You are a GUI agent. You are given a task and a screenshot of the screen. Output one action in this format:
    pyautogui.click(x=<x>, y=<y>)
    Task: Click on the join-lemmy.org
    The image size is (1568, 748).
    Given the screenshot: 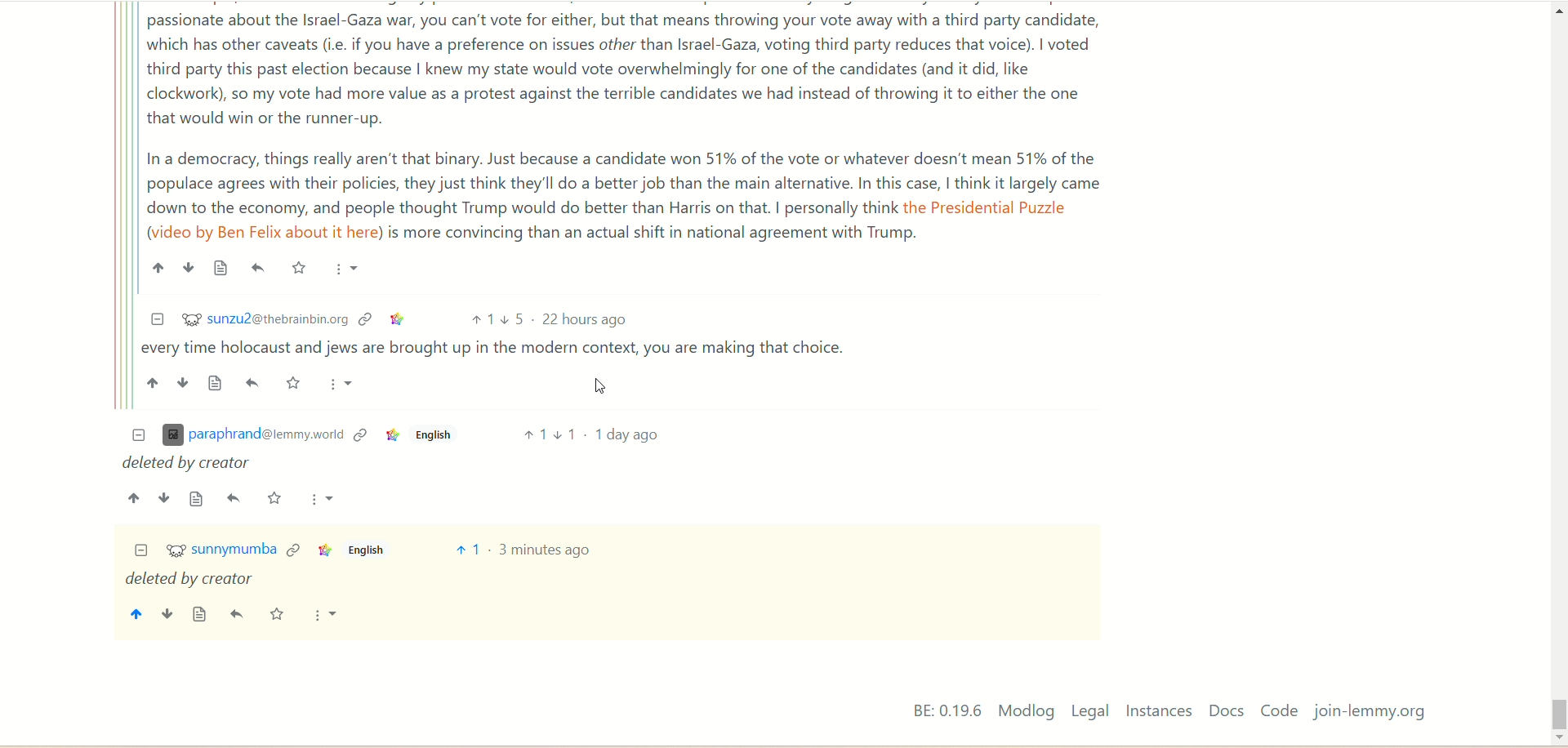 What is the action you would take?
    pyautogui.click(x=1370, y=712)
    